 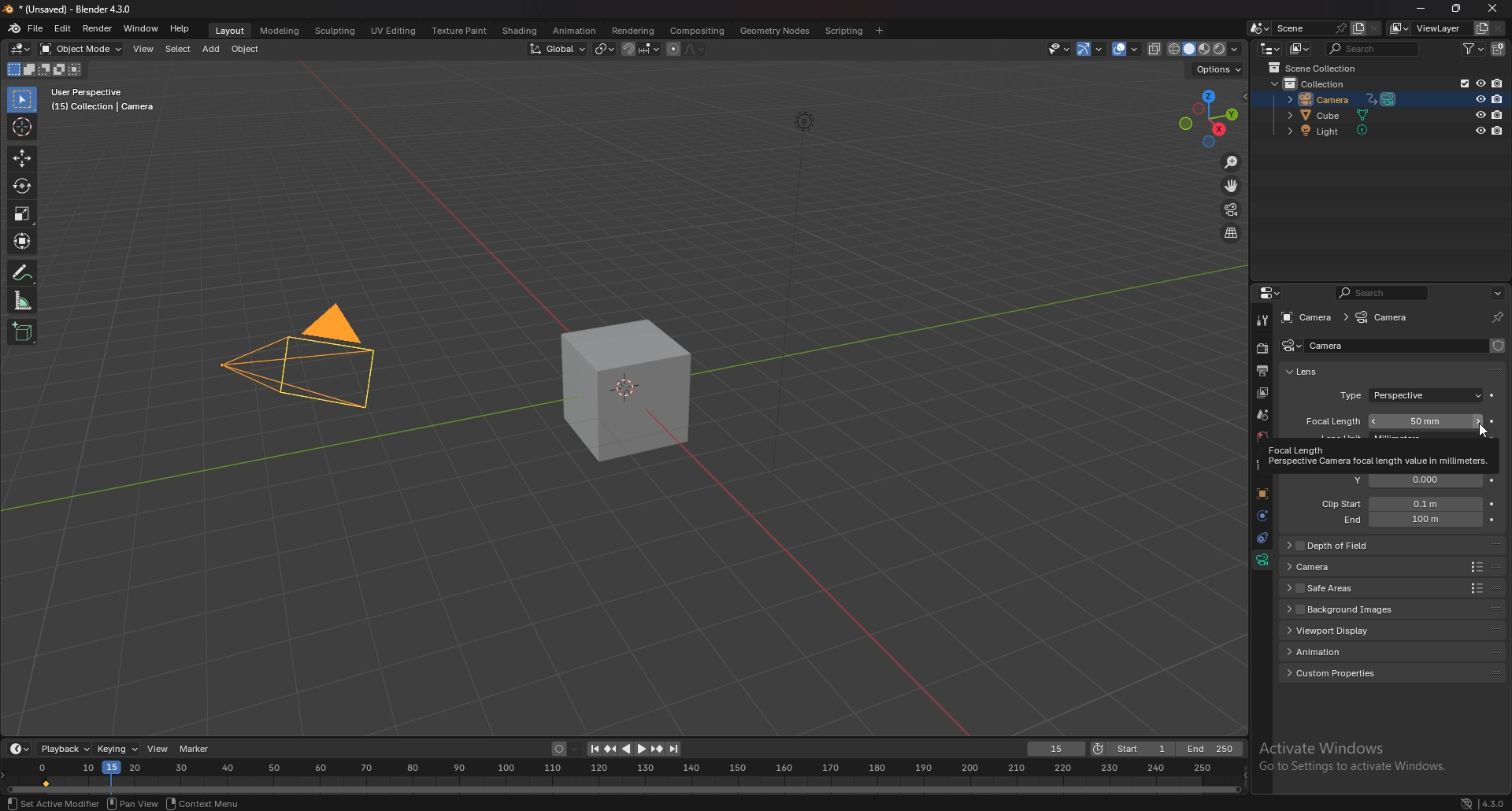 What do you see at coordinates (1312, 372) in the screenshot?
I see `lens` at bounding box center [1312, 372].